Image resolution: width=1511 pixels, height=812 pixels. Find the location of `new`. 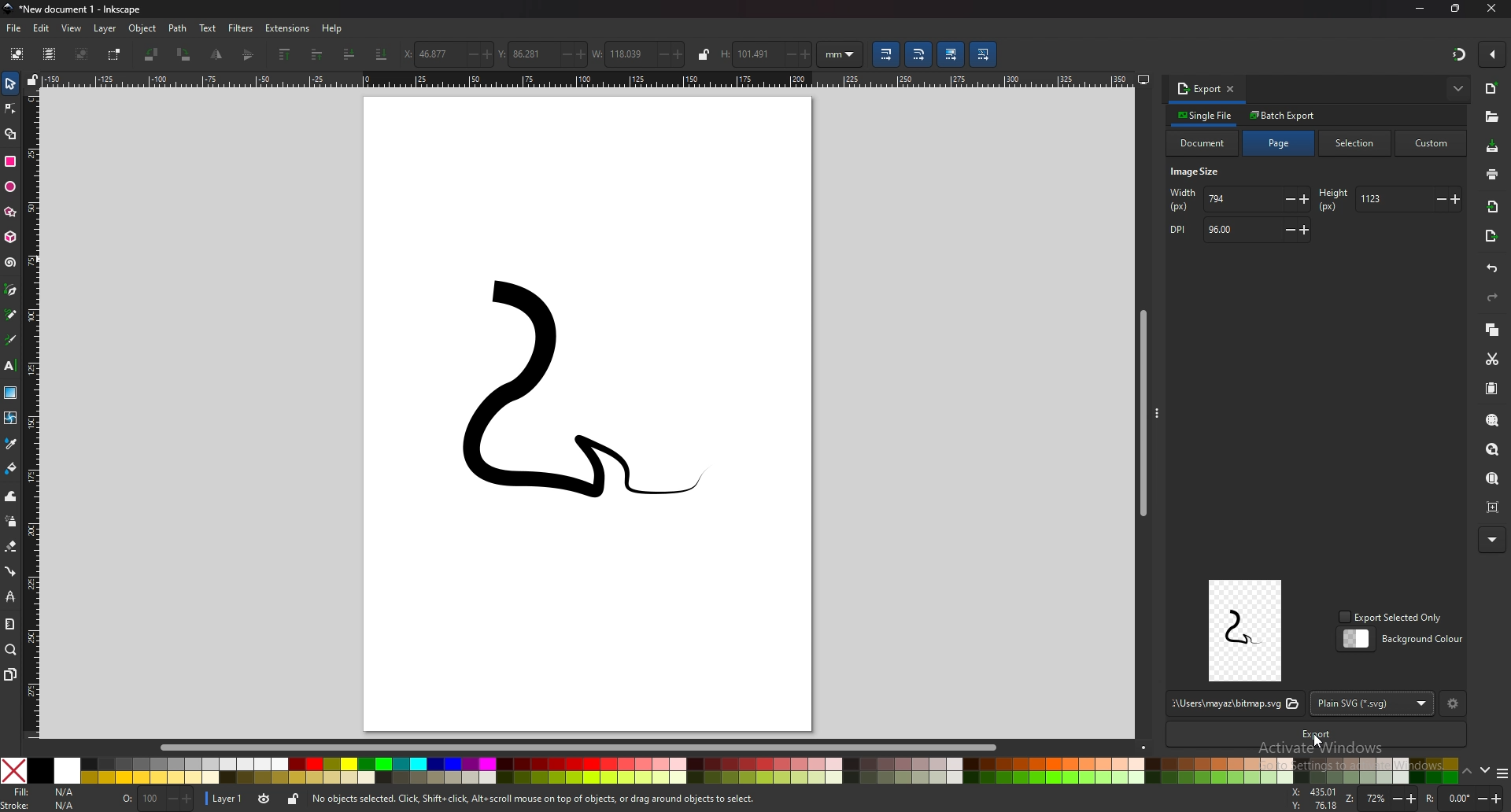

new is located at coordinates (1491, 89).